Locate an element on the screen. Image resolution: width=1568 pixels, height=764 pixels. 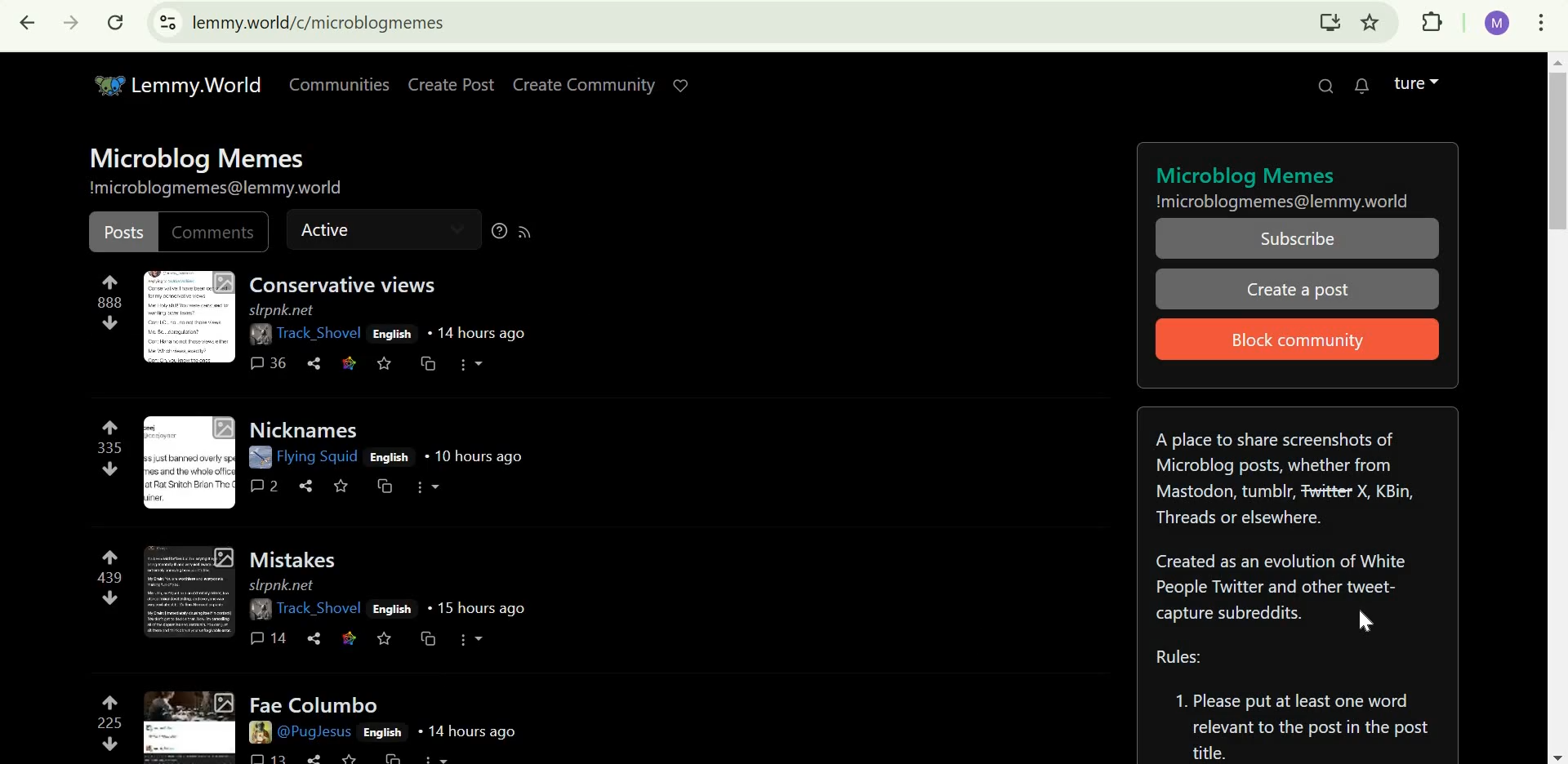
settings is located at coordinates (1542, 23).